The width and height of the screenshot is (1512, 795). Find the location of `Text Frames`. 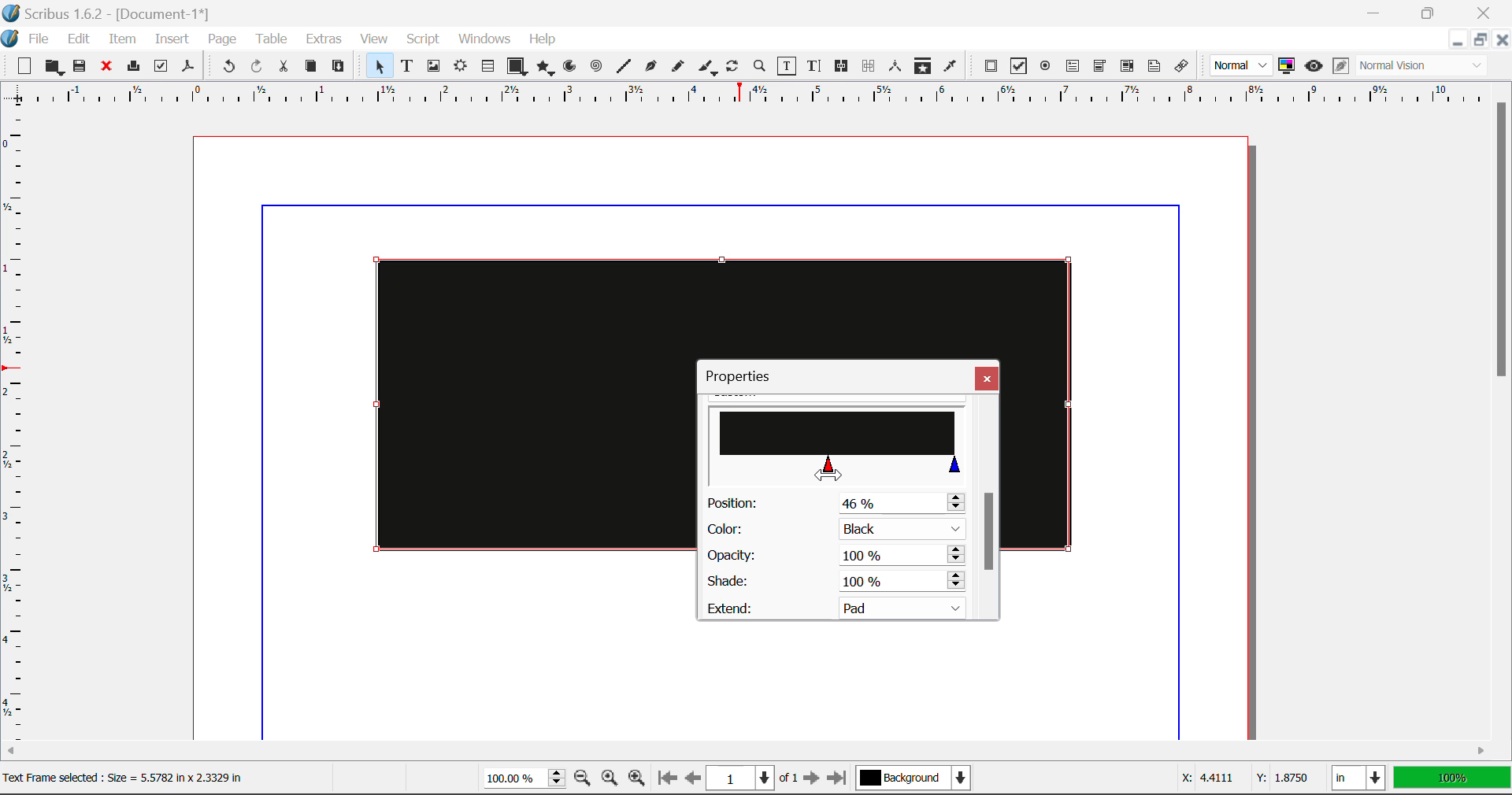

Text Frames is located at coordinates (407, 68).